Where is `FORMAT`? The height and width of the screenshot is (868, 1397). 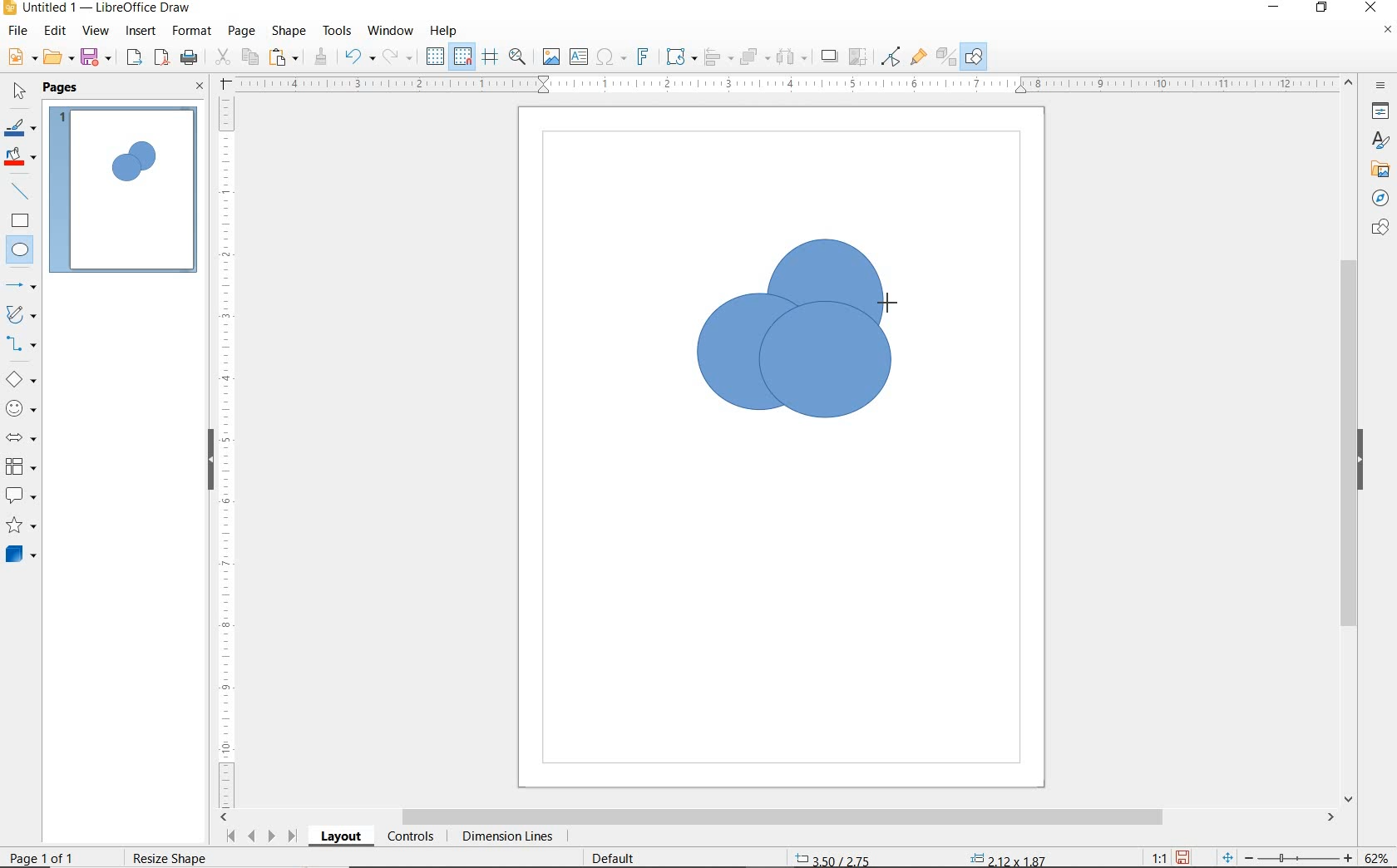 FORMAT is located at coordinates (193, 31).